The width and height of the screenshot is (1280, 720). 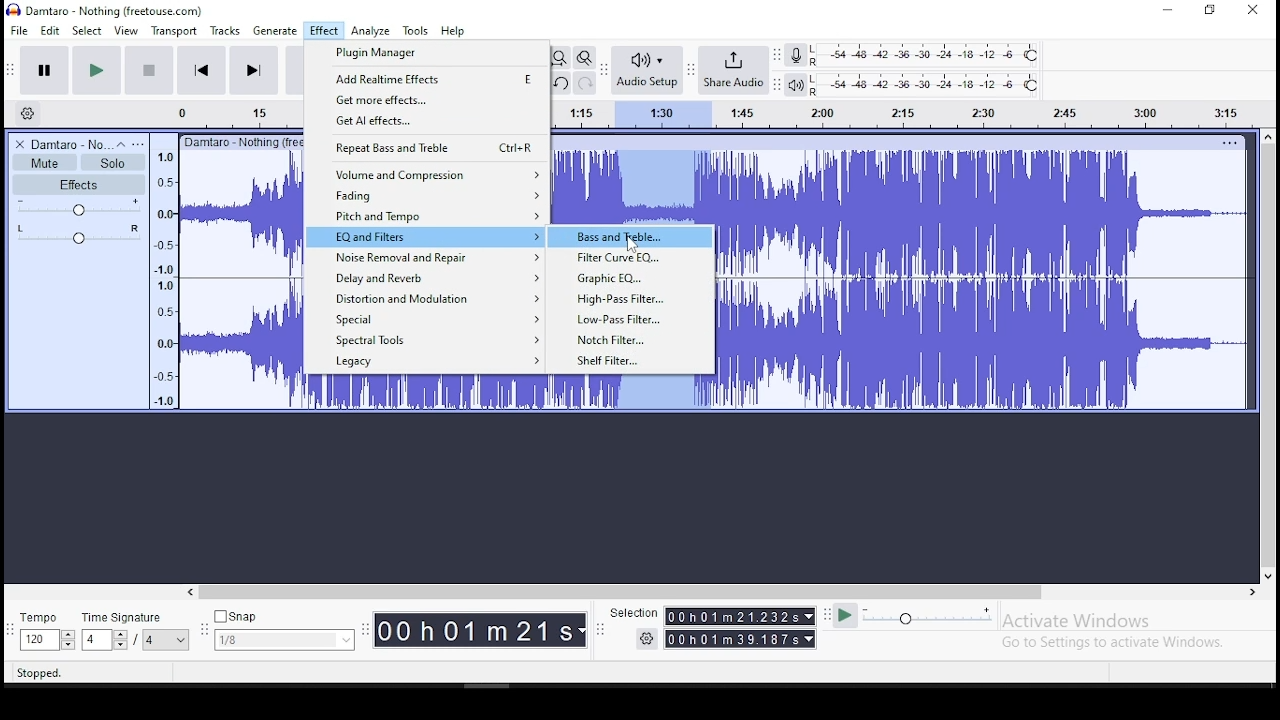 I want to click on audio track, so click(x=508, y=393).